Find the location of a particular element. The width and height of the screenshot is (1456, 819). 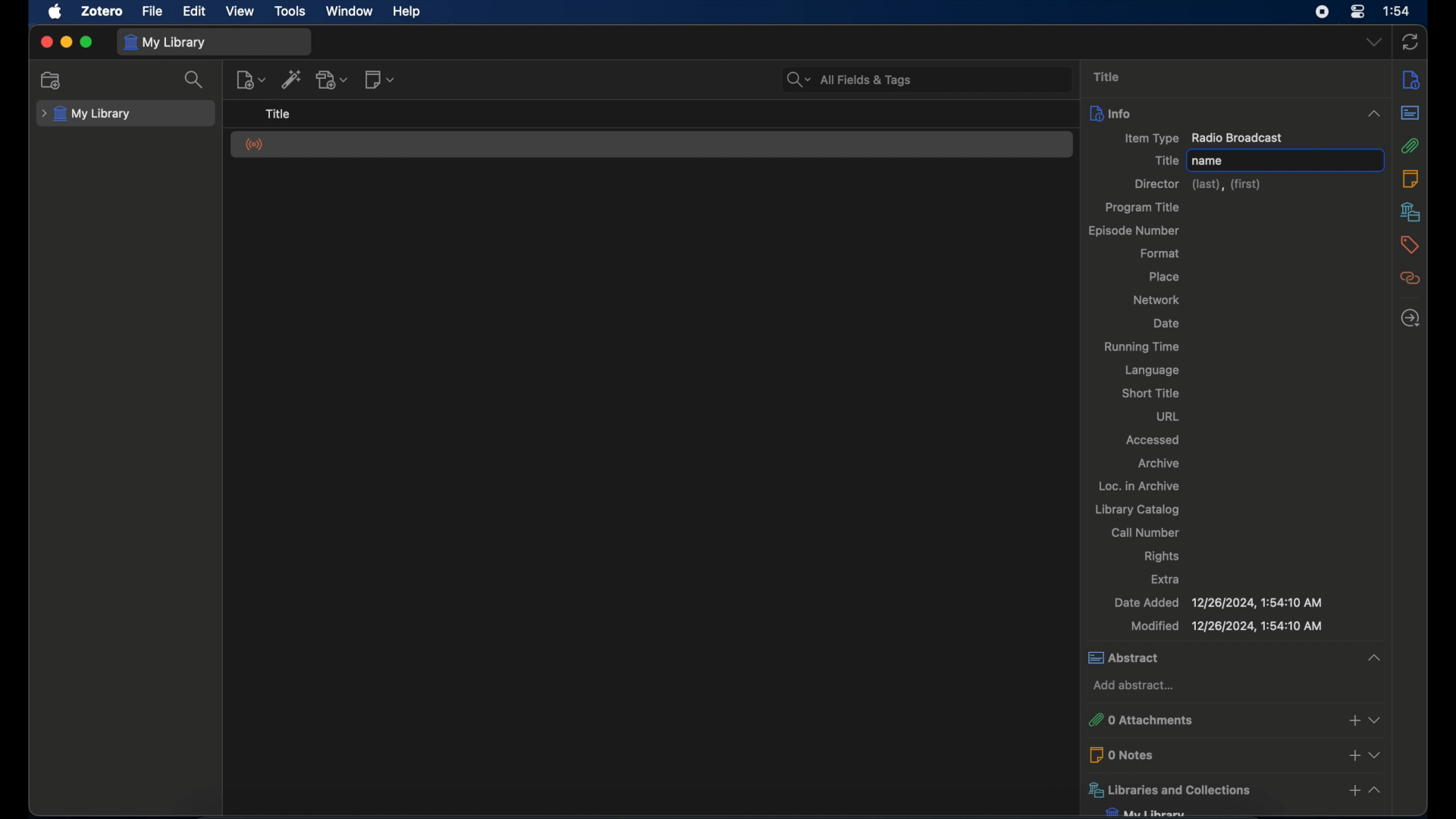

title is located at coordinates (1165, 160).